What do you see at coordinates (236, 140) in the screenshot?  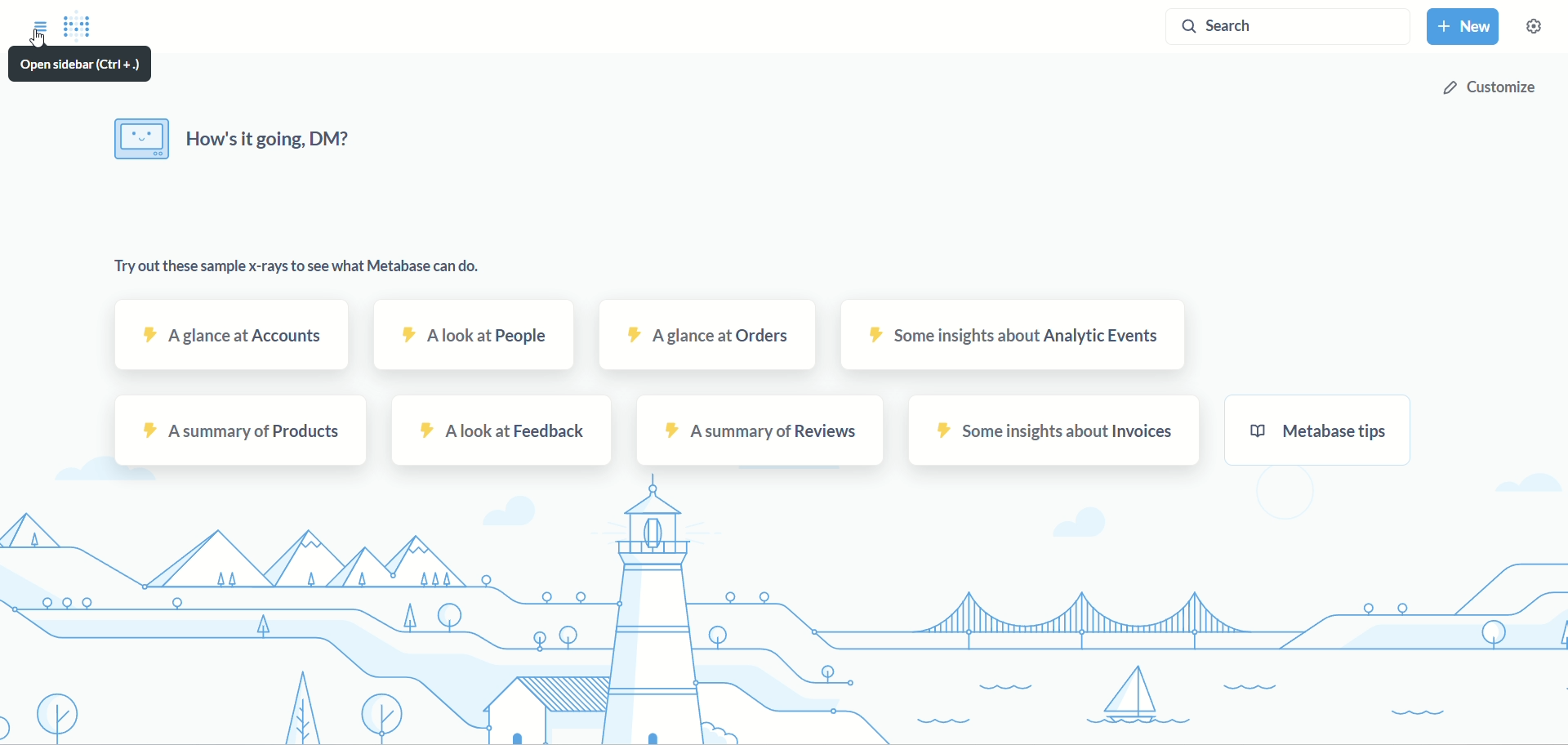 I see `How's it going, DM?` at bounding box center [236, 140].